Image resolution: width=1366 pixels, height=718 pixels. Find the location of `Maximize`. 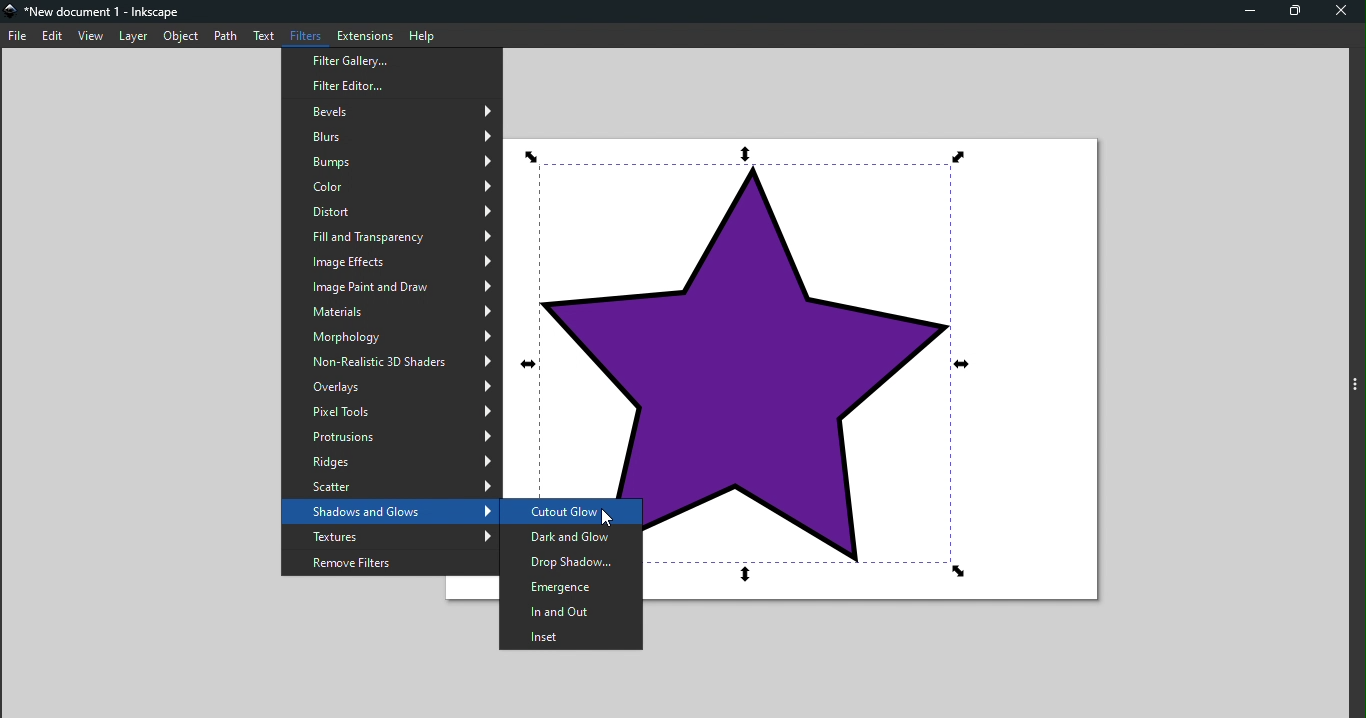

Maximize is located at coordinates (1301, 10).